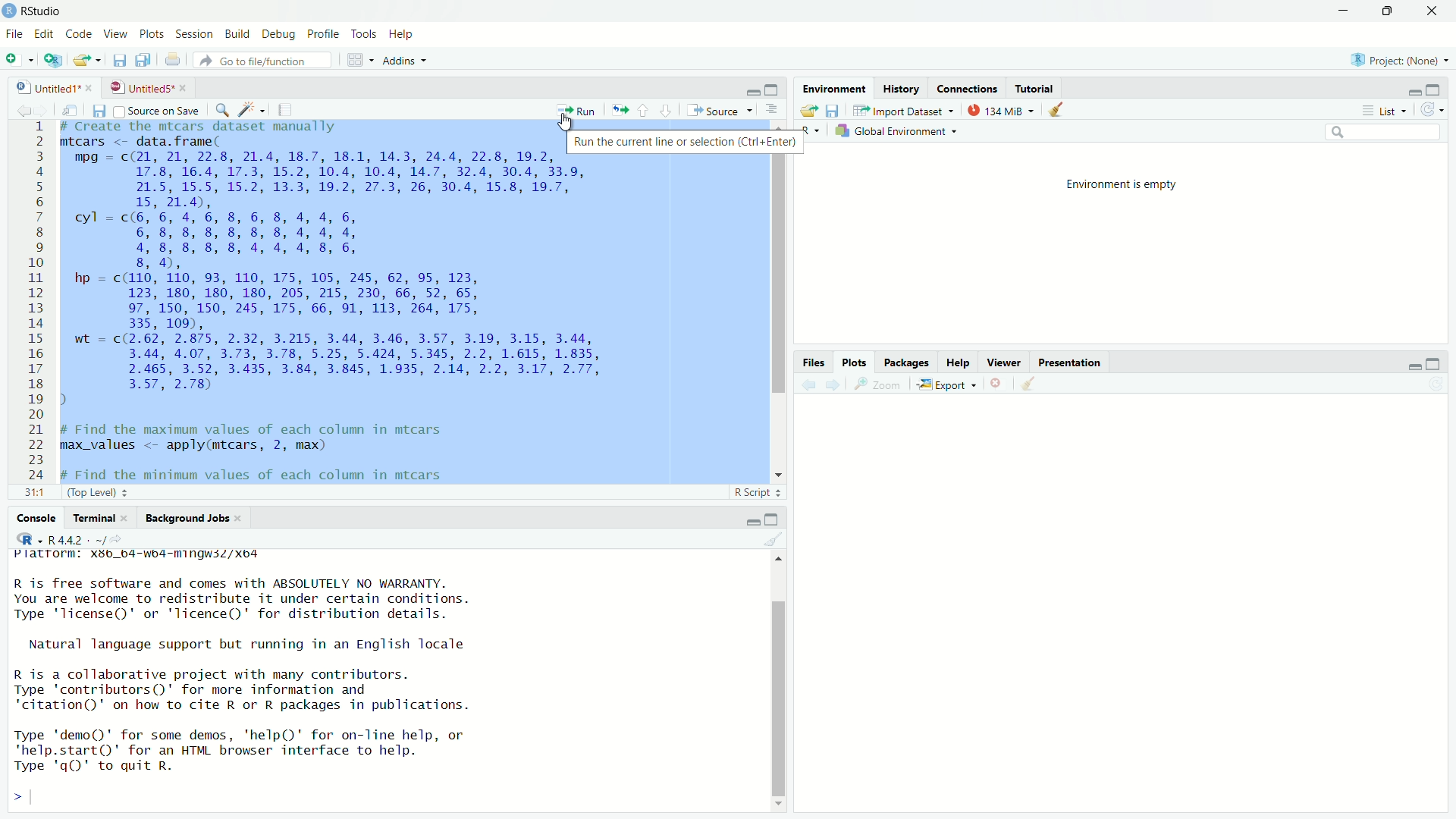 The image size is (1456, 819). I want to click on minimise, so click(1407, 365).